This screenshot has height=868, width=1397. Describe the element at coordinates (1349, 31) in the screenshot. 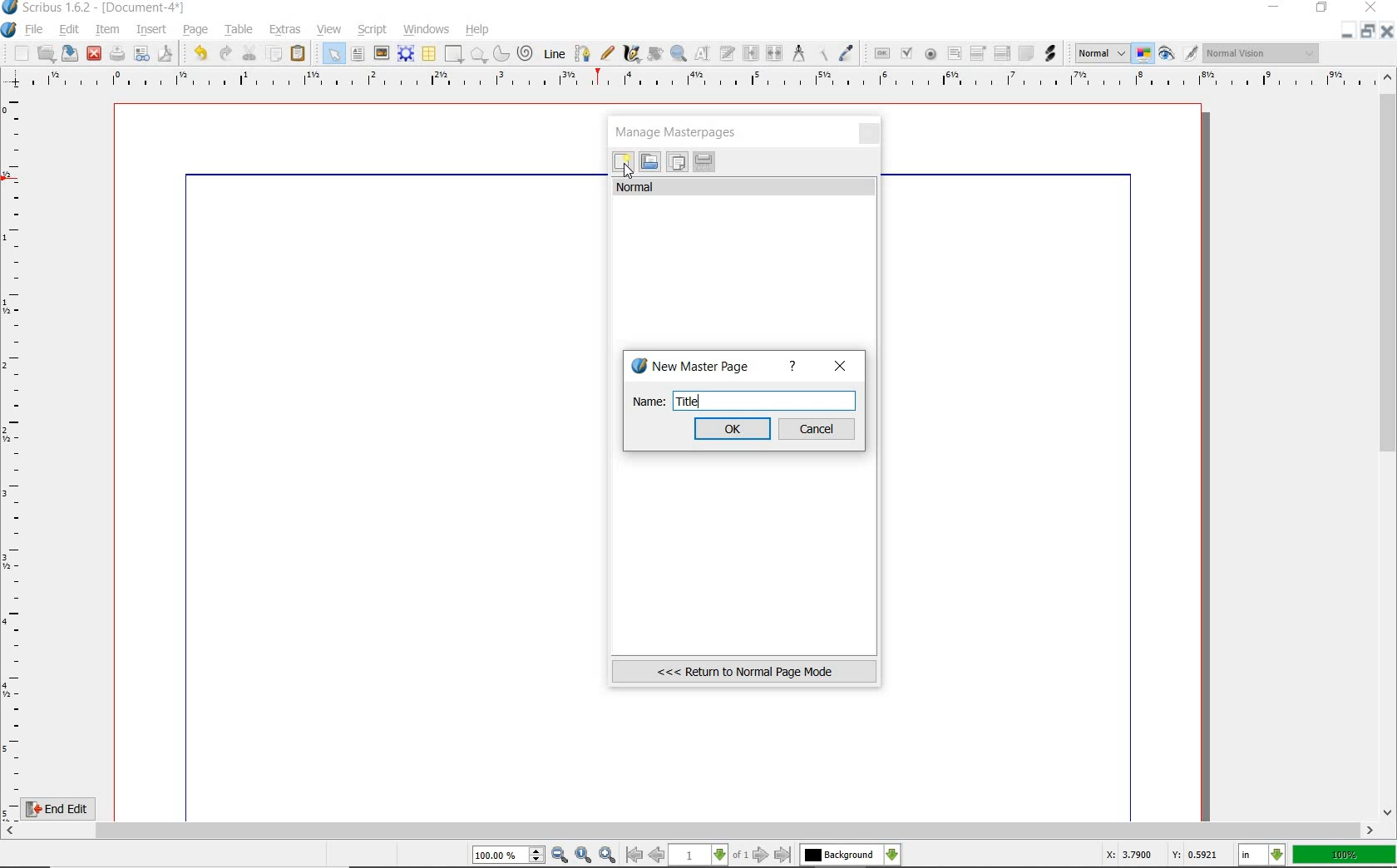

I see `minimize` at that location.